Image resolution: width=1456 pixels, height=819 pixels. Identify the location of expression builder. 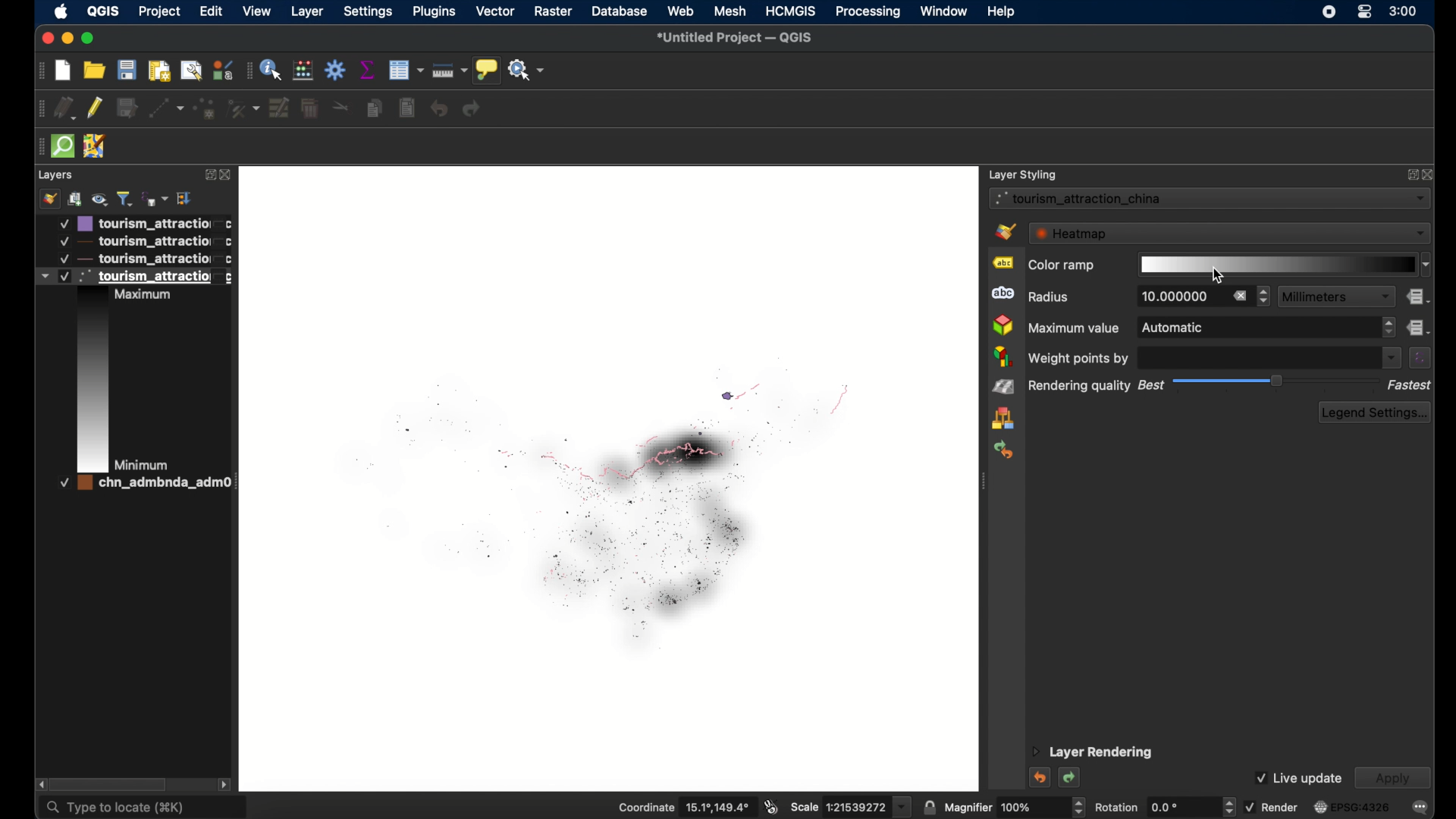
(1420, 358).